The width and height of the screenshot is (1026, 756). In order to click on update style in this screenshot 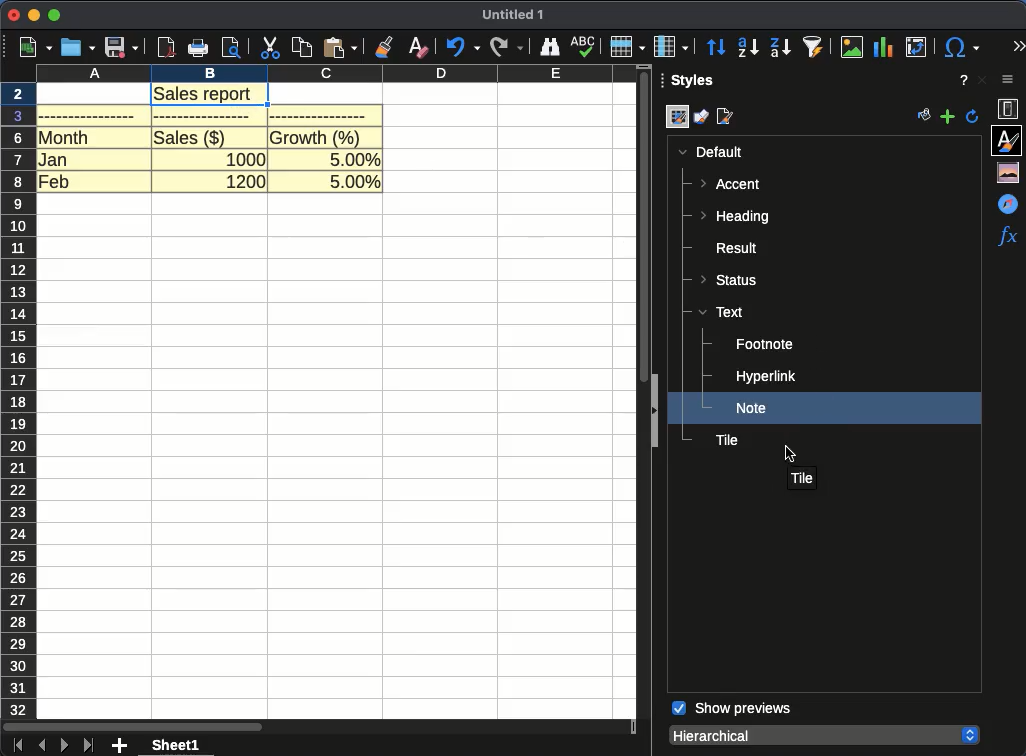, I will do `click(973, 116)`.